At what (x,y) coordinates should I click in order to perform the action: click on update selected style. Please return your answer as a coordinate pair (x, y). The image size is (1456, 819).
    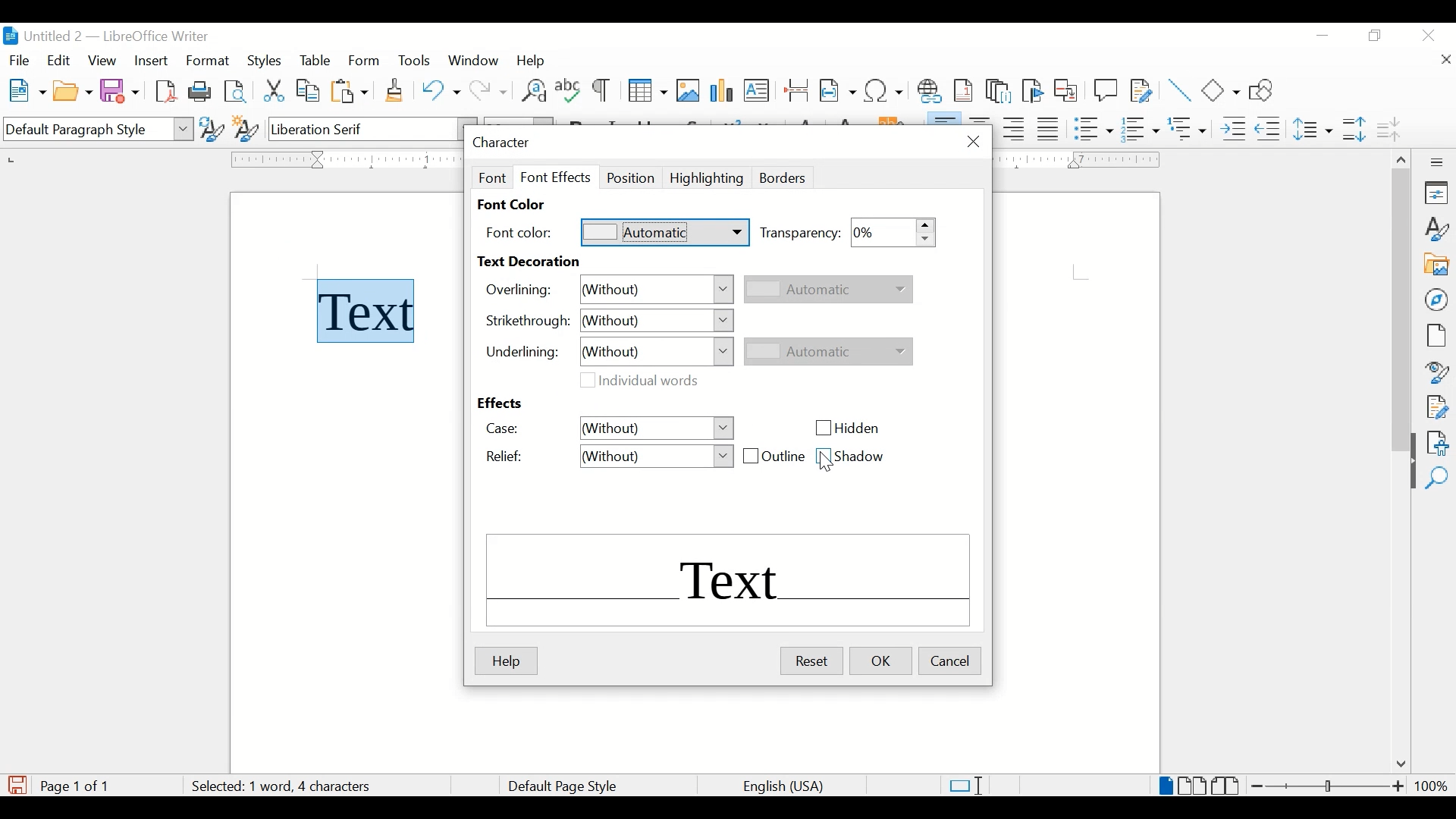
    Looking at the image, I should click on (212, 128).